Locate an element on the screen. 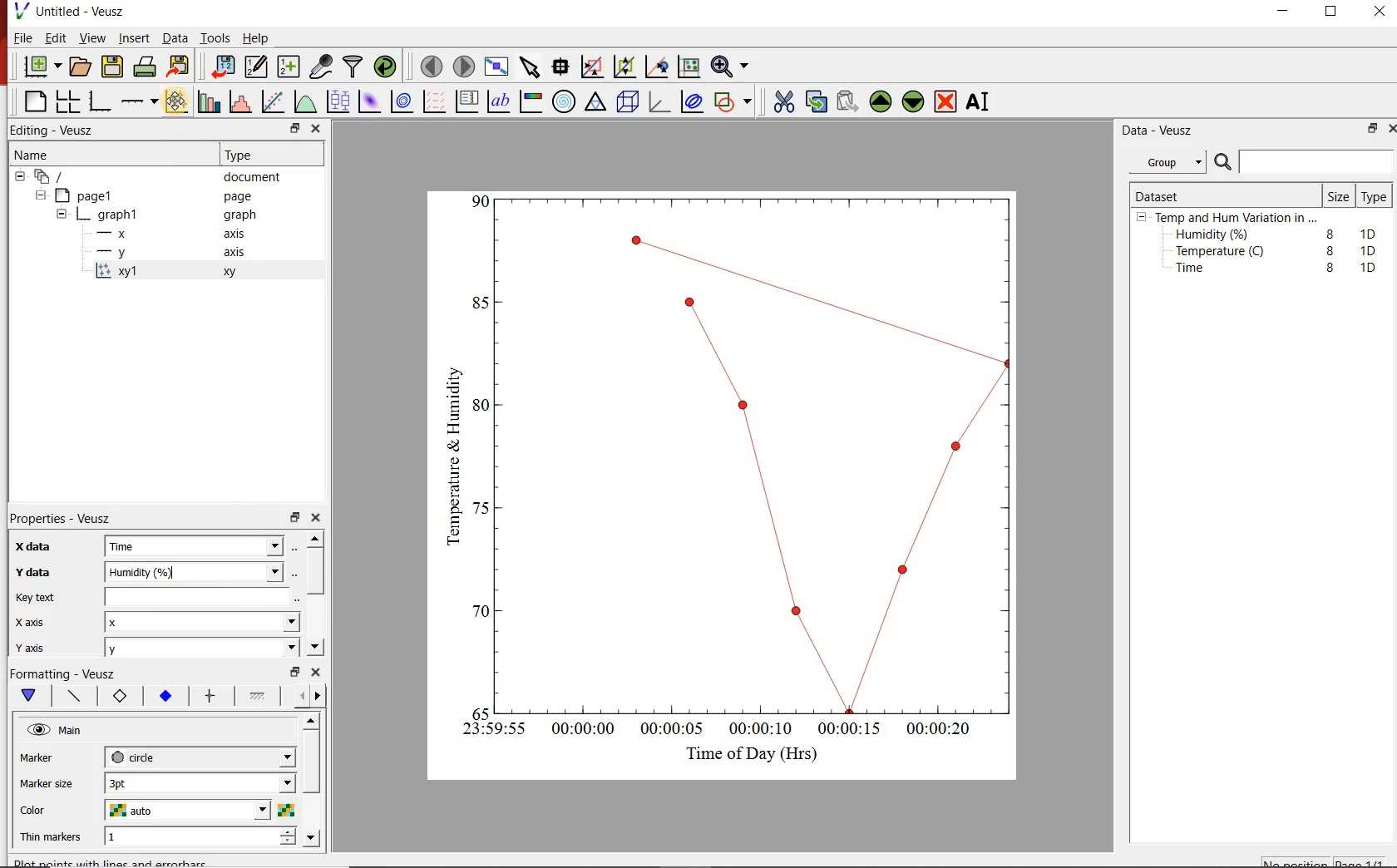 The width and height of the screenshot is (1397, 868). x axis dropdown is located at coordinates (273, 623).